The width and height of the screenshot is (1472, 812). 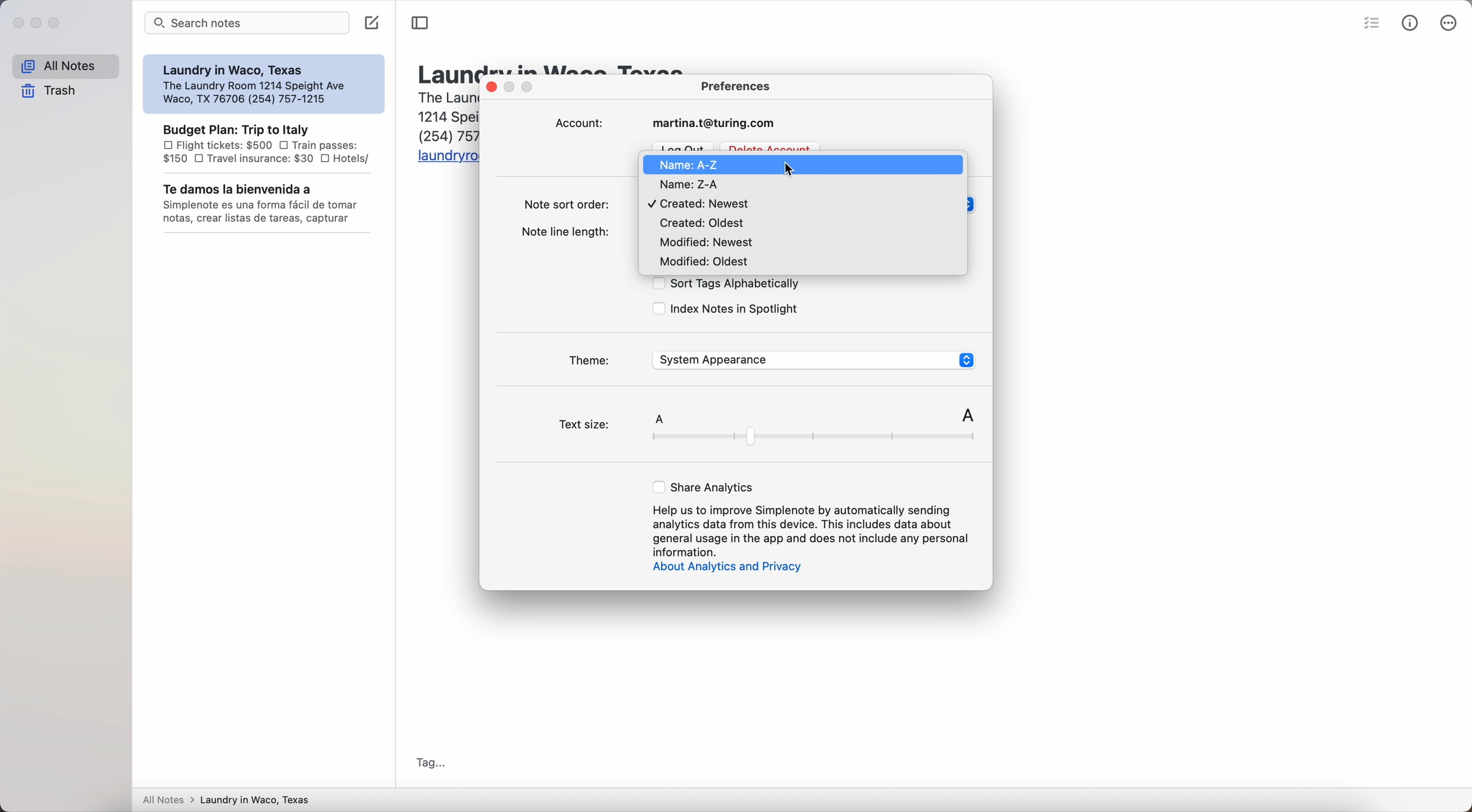 I want to click on Te damos la bienvenida a note, so click(x=266, y=204).